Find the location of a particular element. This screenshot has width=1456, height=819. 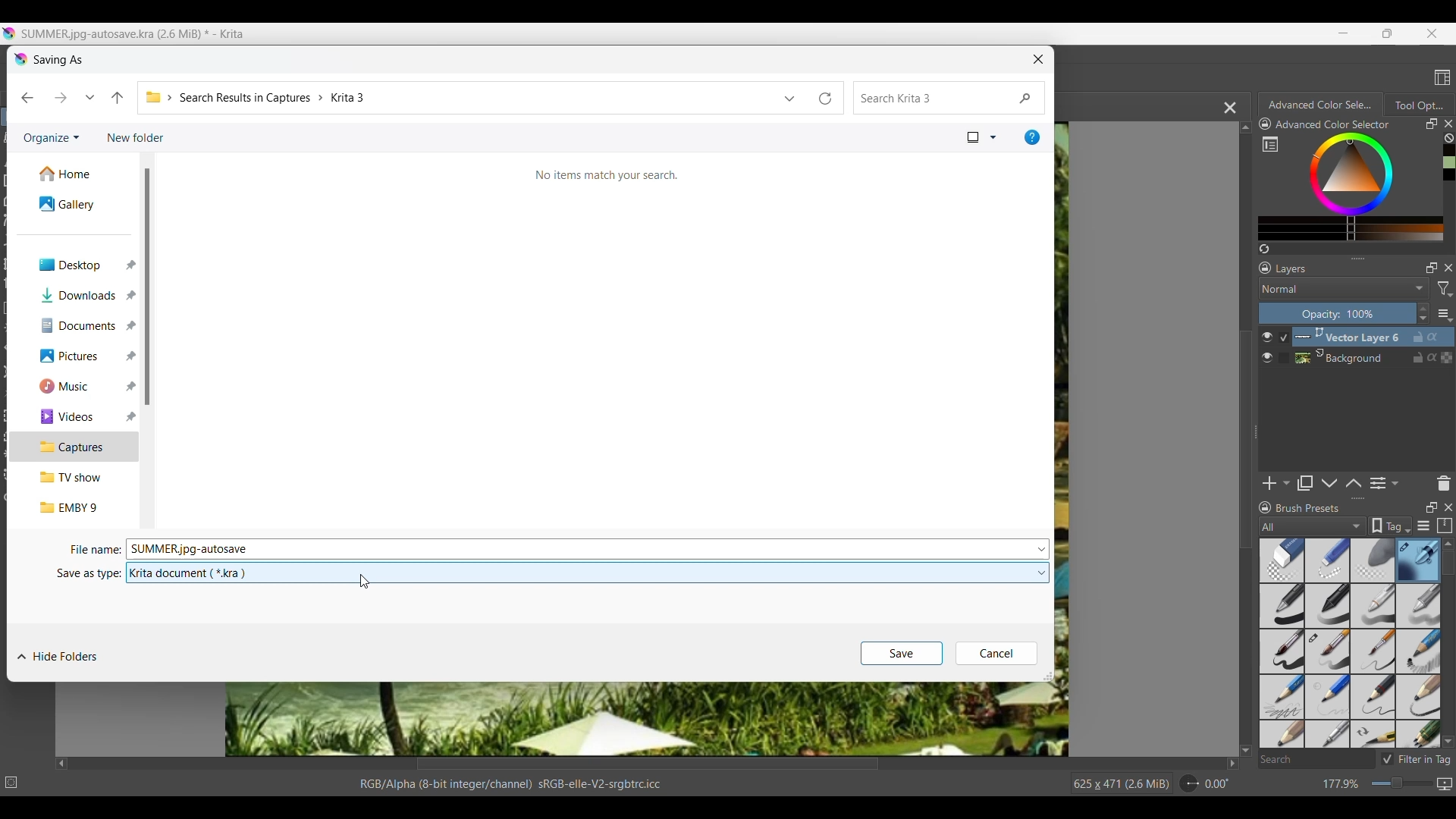

Storage resources is located at coordinates (1444, 526).